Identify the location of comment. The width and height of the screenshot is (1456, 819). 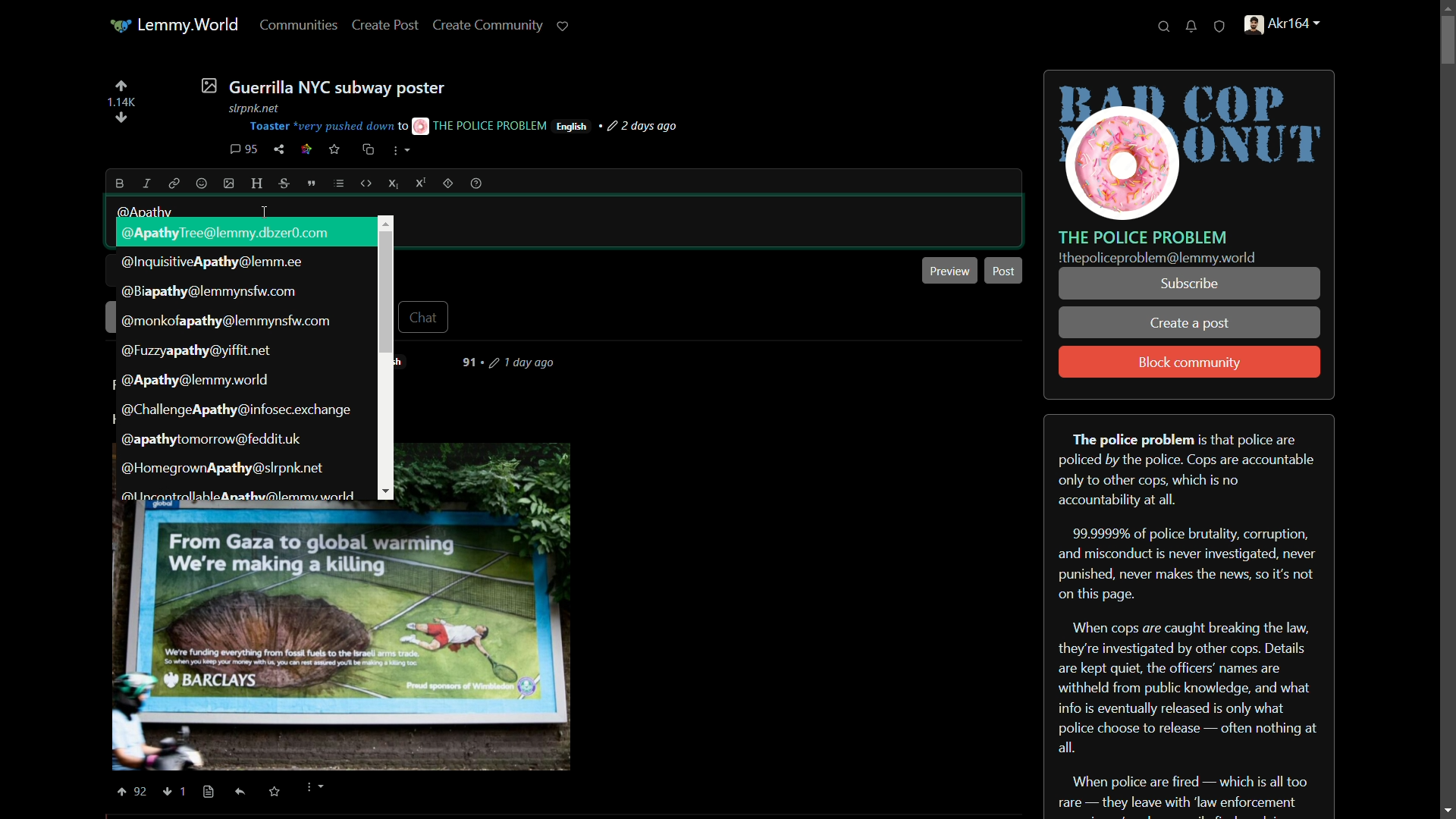
(243, 149).